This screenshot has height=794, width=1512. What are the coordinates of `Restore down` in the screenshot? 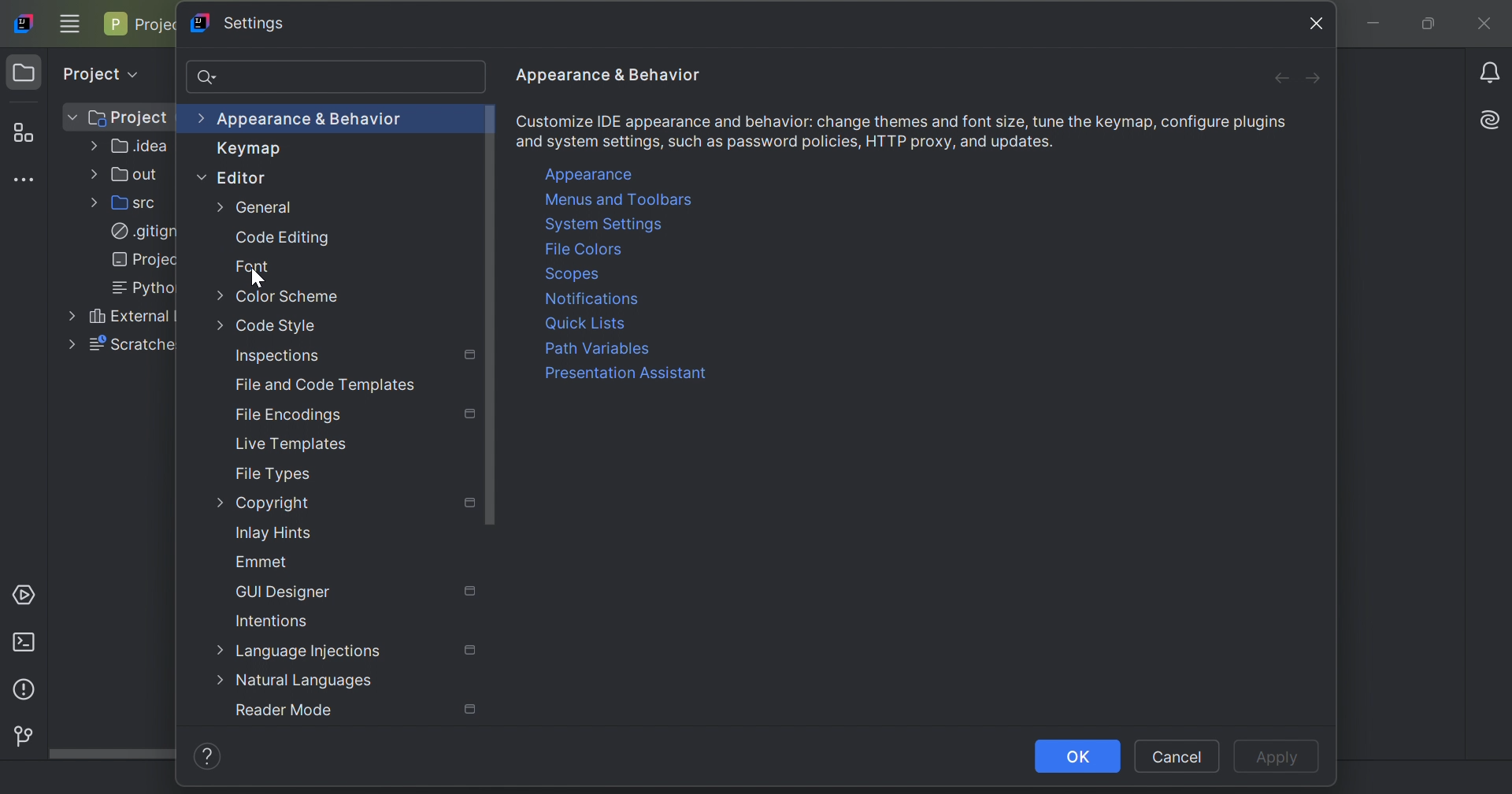 It's located at (1426, 25).